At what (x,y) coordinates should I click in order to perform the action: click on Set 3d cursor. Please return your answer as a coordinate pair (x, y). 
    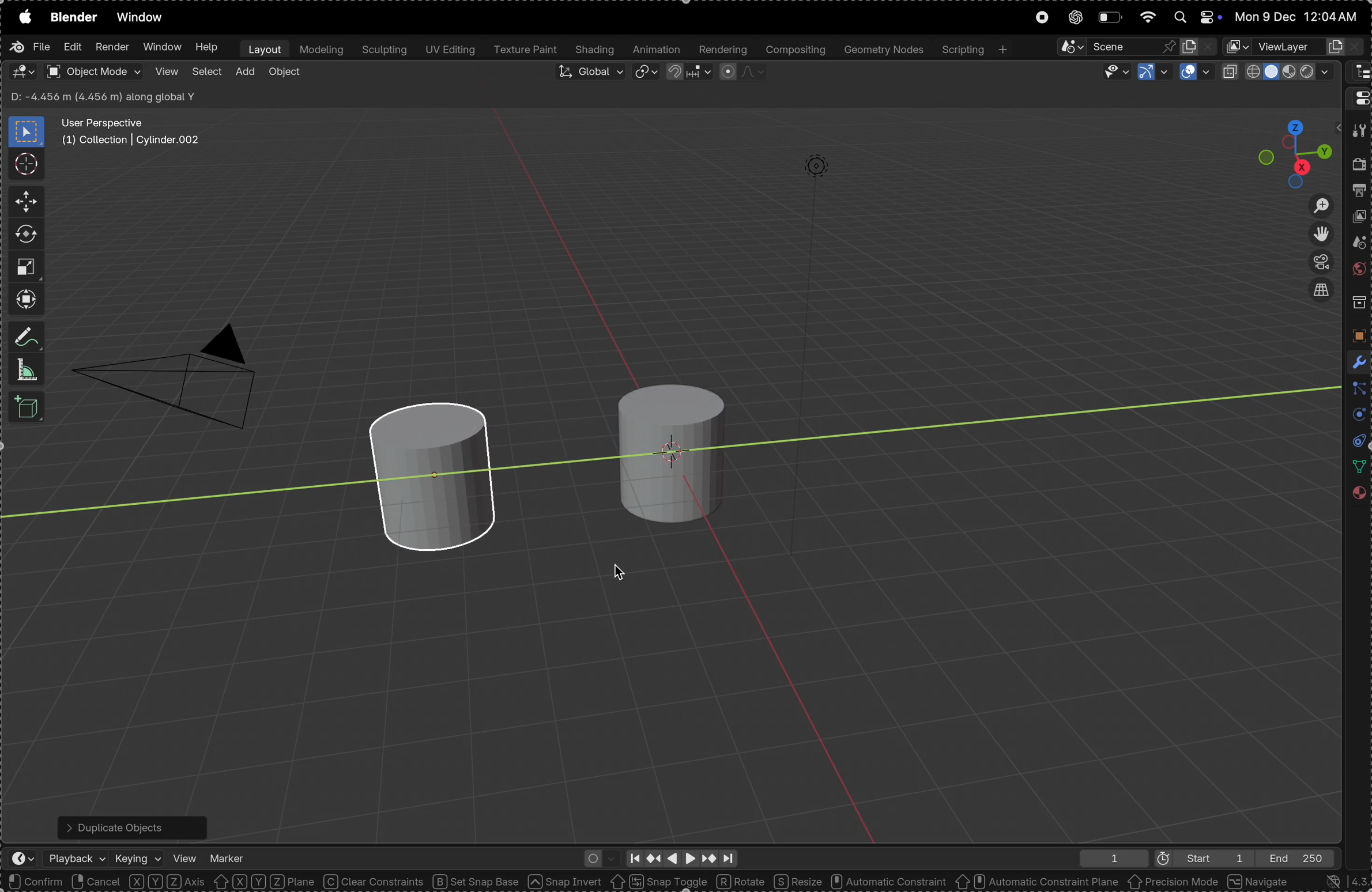
    Looking at the image, I should click on (221, 882).